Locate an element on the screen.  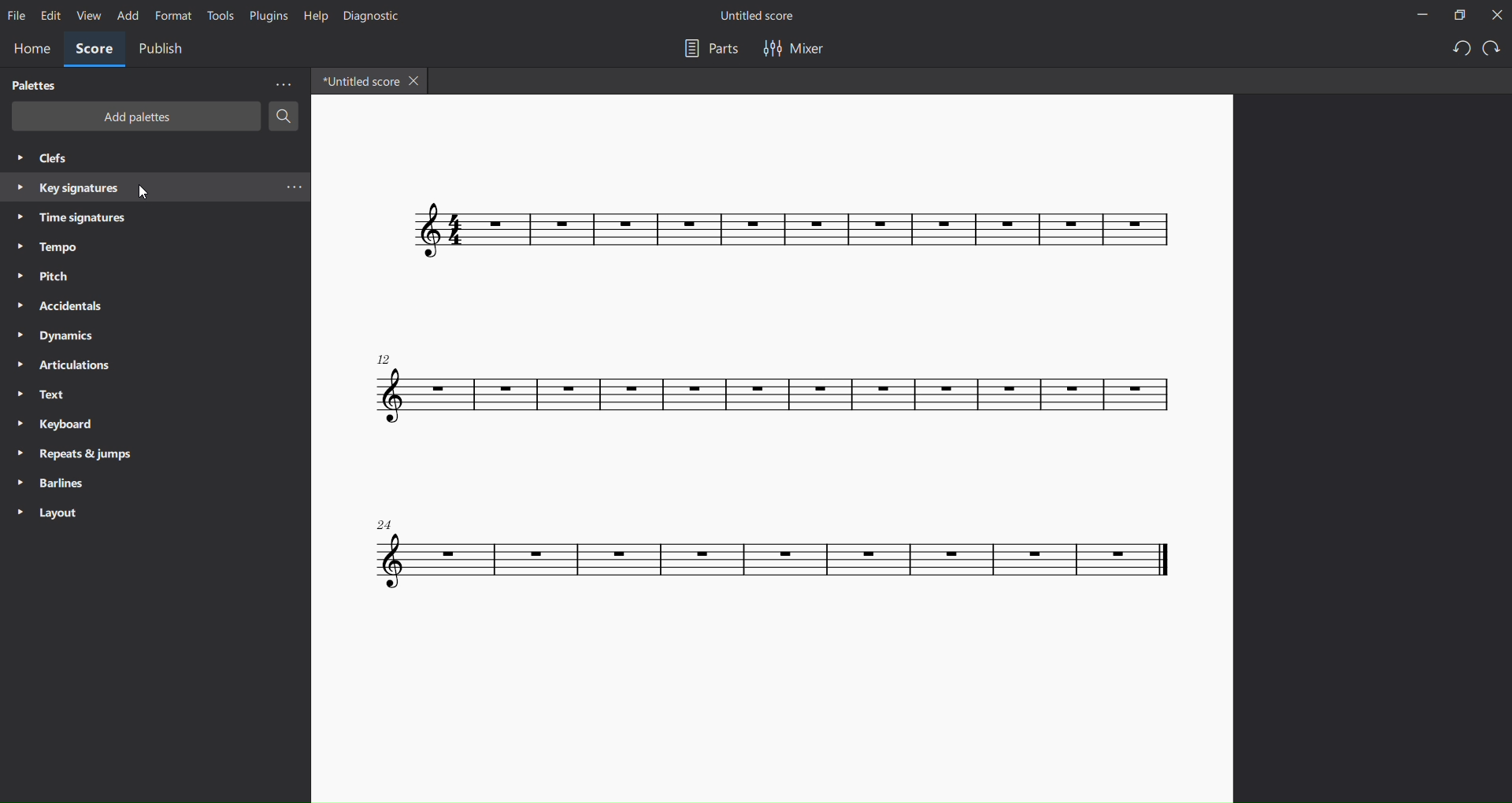
accidentals is located at coordinates (59, 303).